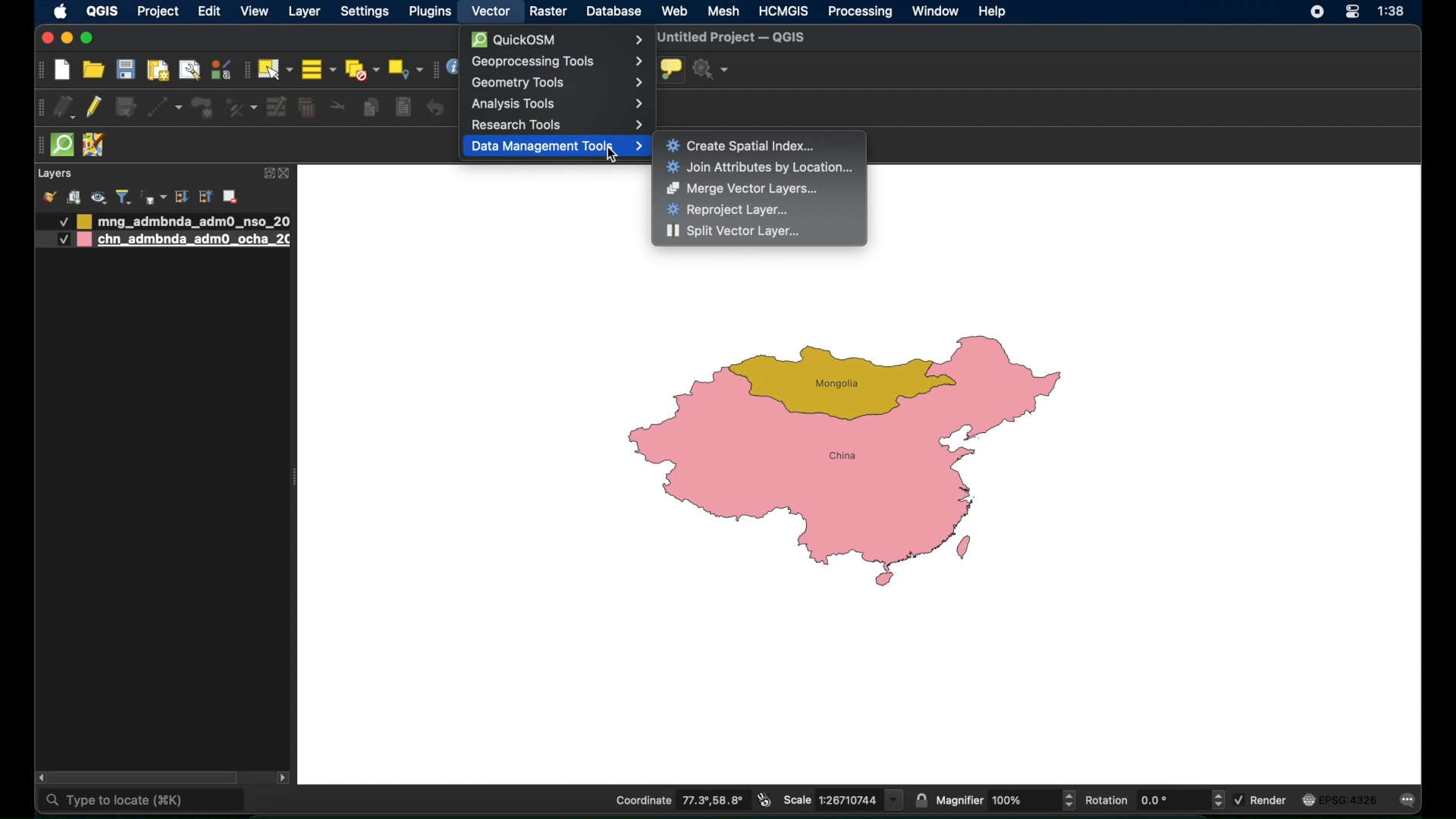  I want to click on expand, so click(182, 196).